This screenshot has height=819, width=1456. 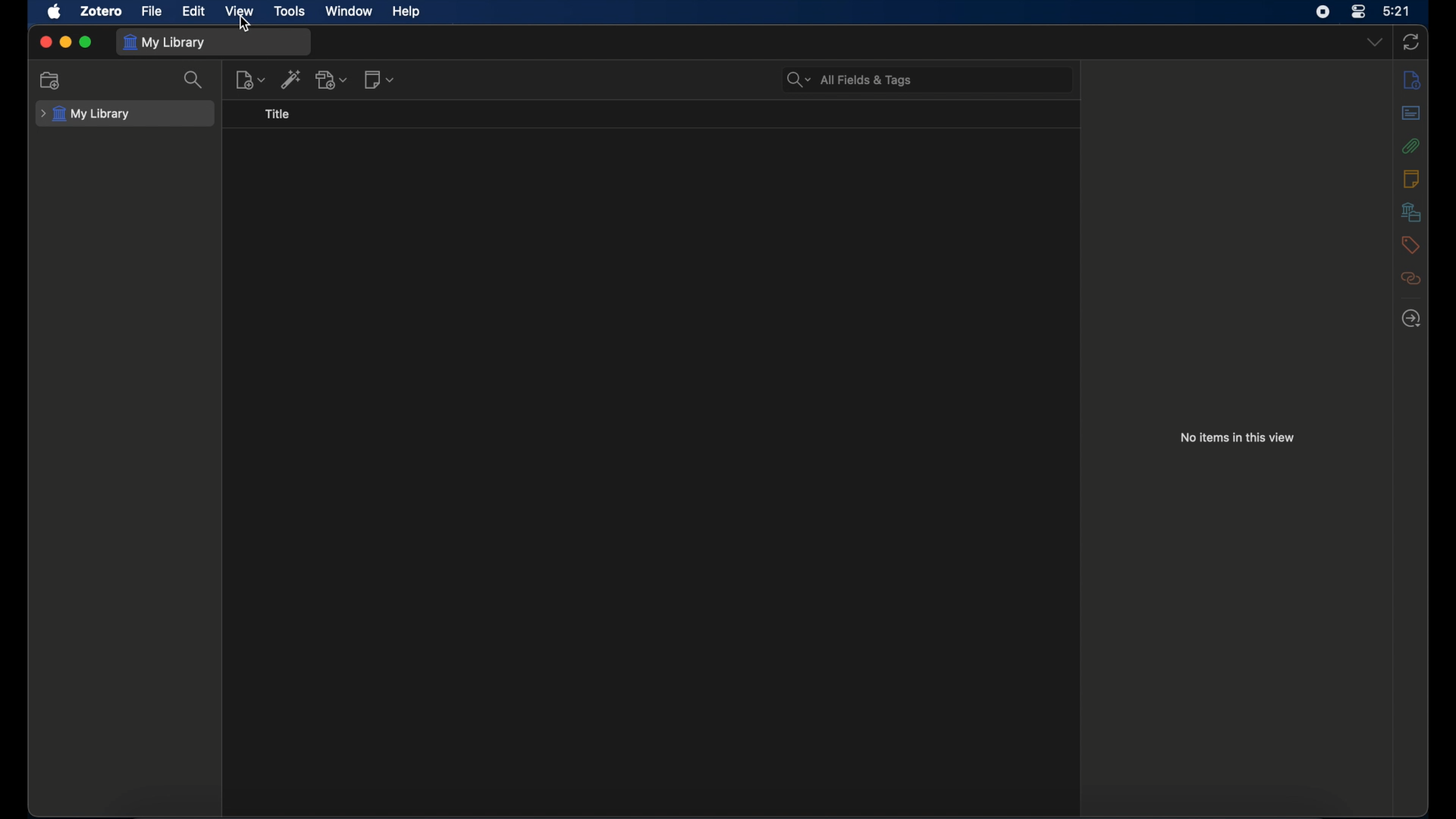 I want to click on add attachment, so click(x=333, y=80).